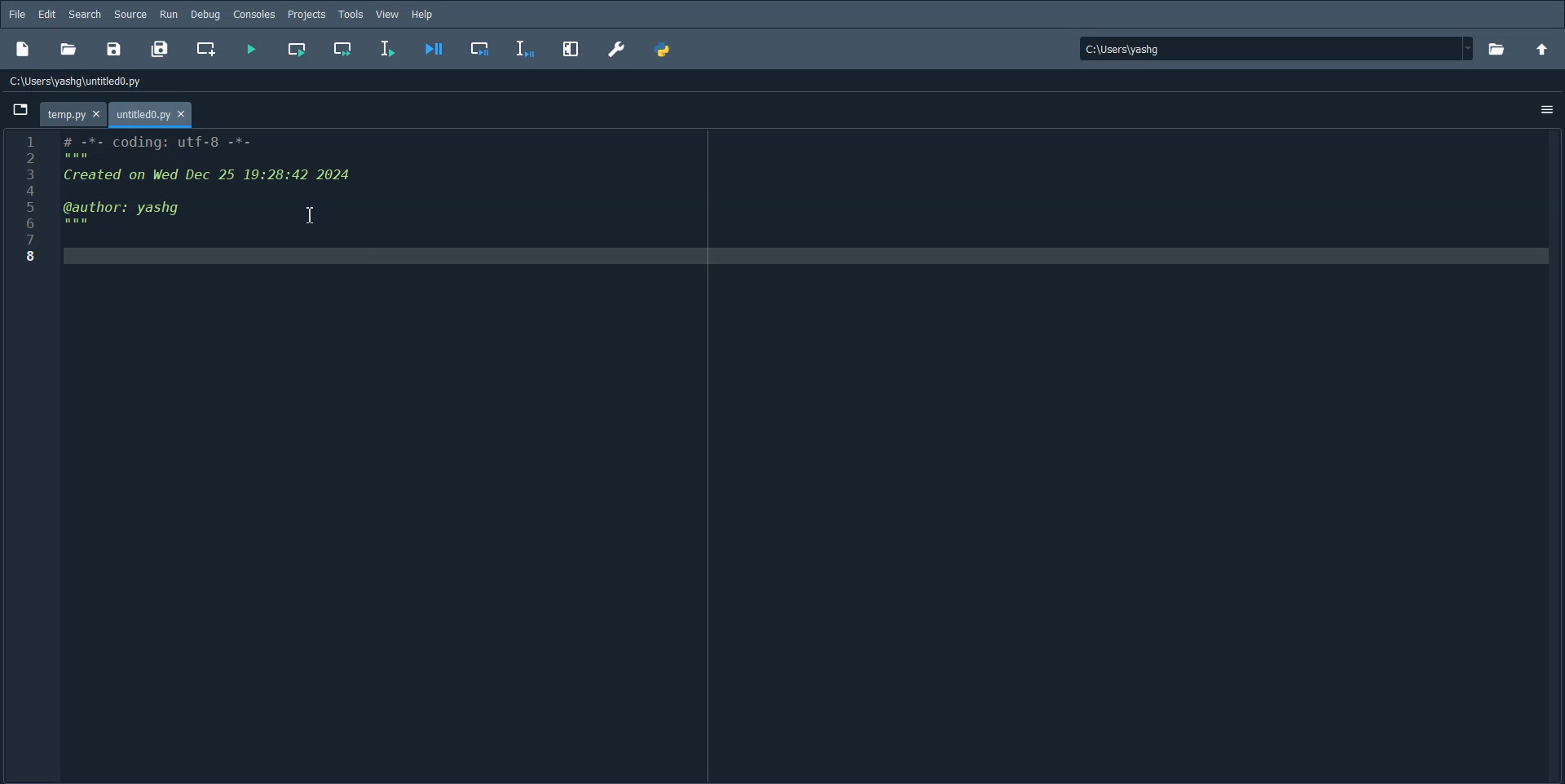 Image resolution: width=1565 pixels, height=784 pixels. Describe the element at coordinates (170, 15) in the screenshot. I see `Run` at that location.